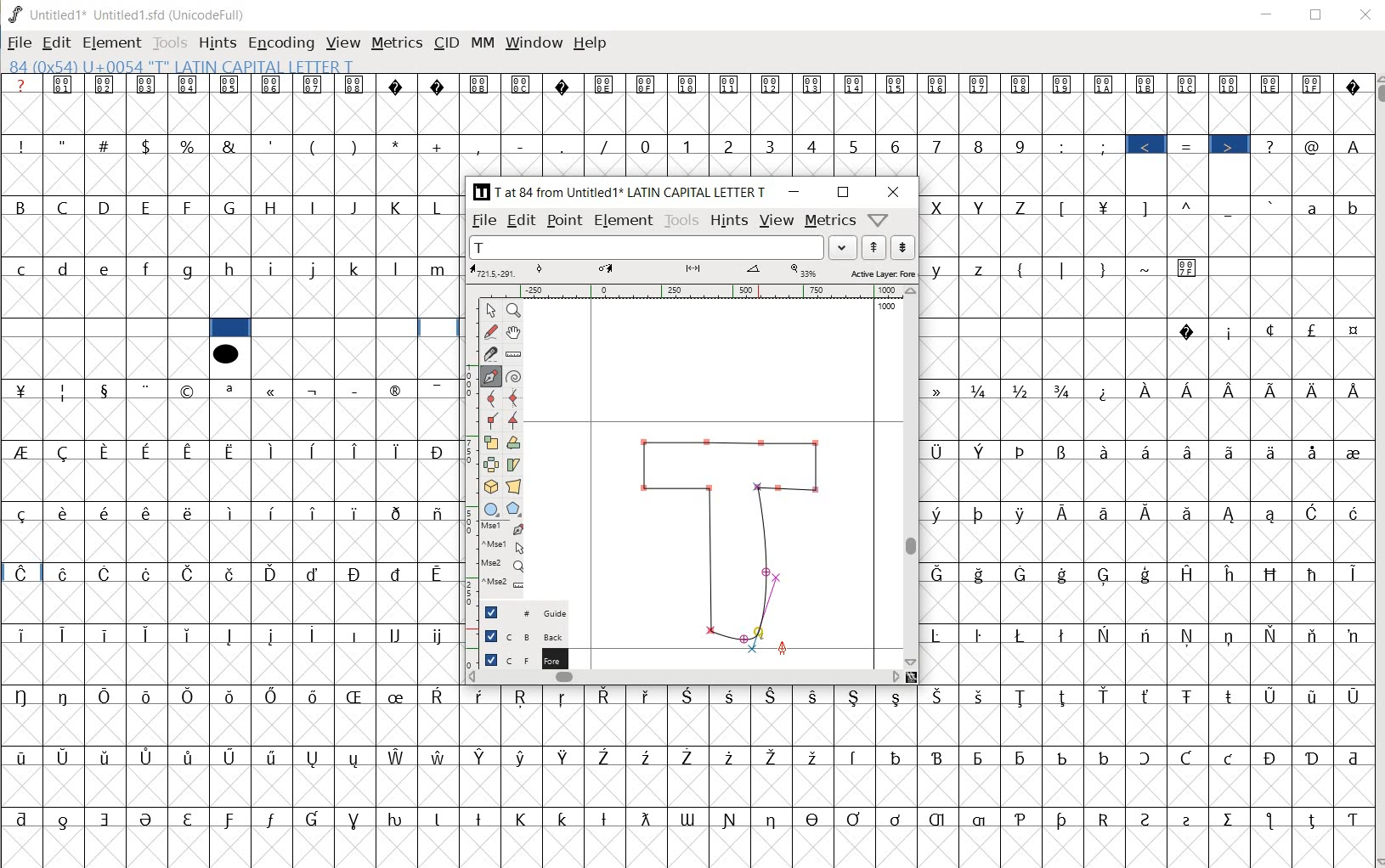  What do you see at coordinates (732, 538) in the screenshot?
I see `glyph letter T with curve added to base` at bounding box center [732, 538].